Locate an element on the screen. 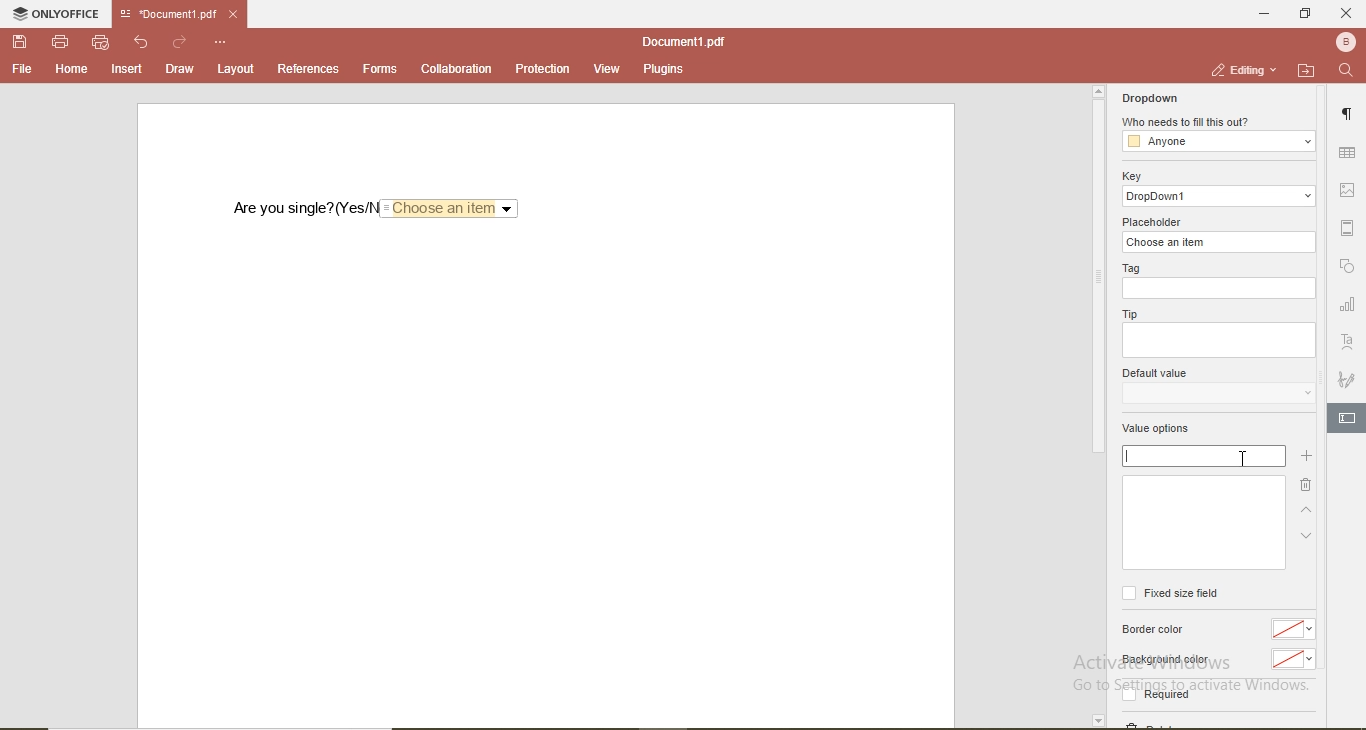  shape is located at coordinates (1351, 269).